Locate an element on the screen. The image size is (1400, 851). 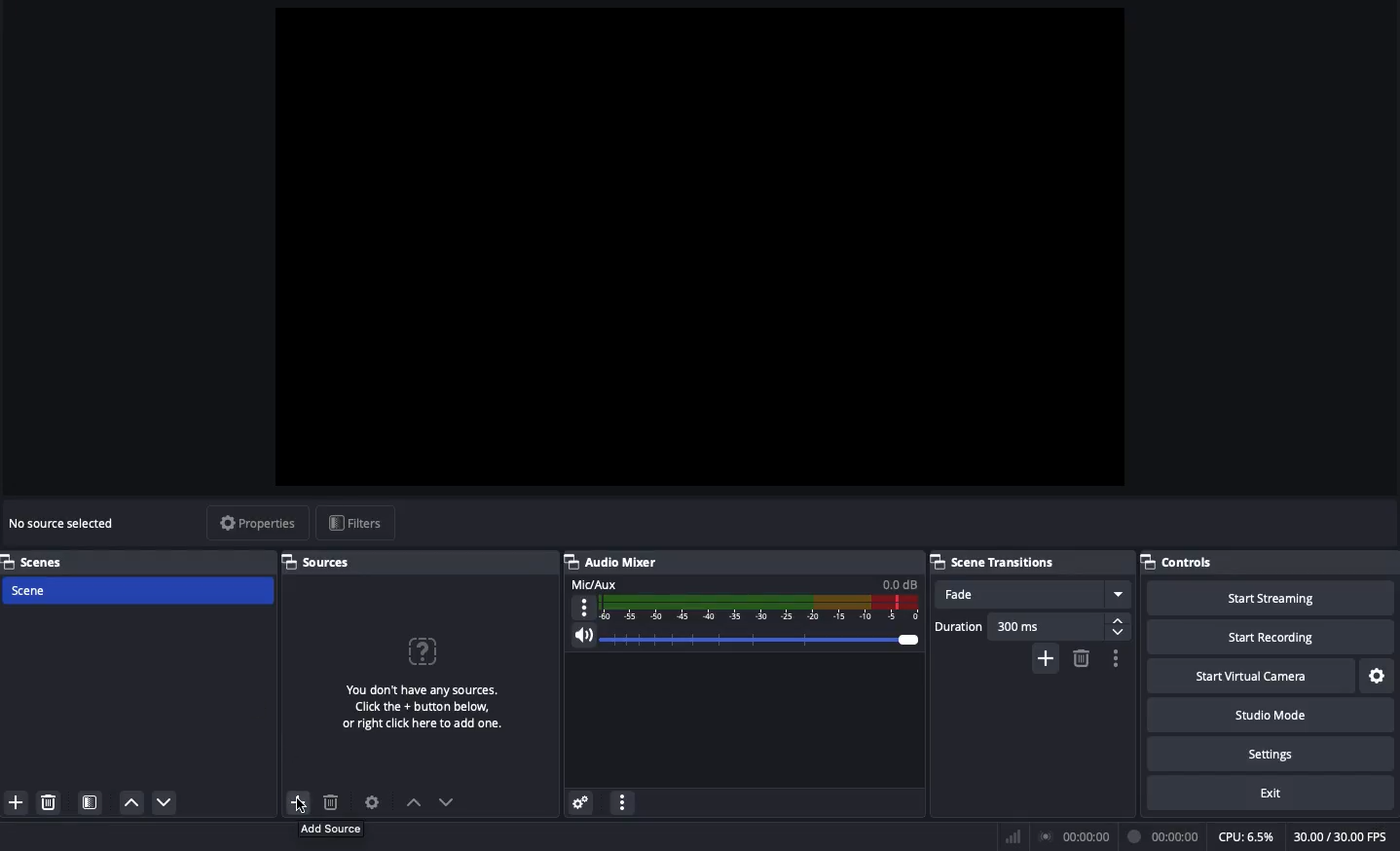
Sources is located at coordinates (323, 562).